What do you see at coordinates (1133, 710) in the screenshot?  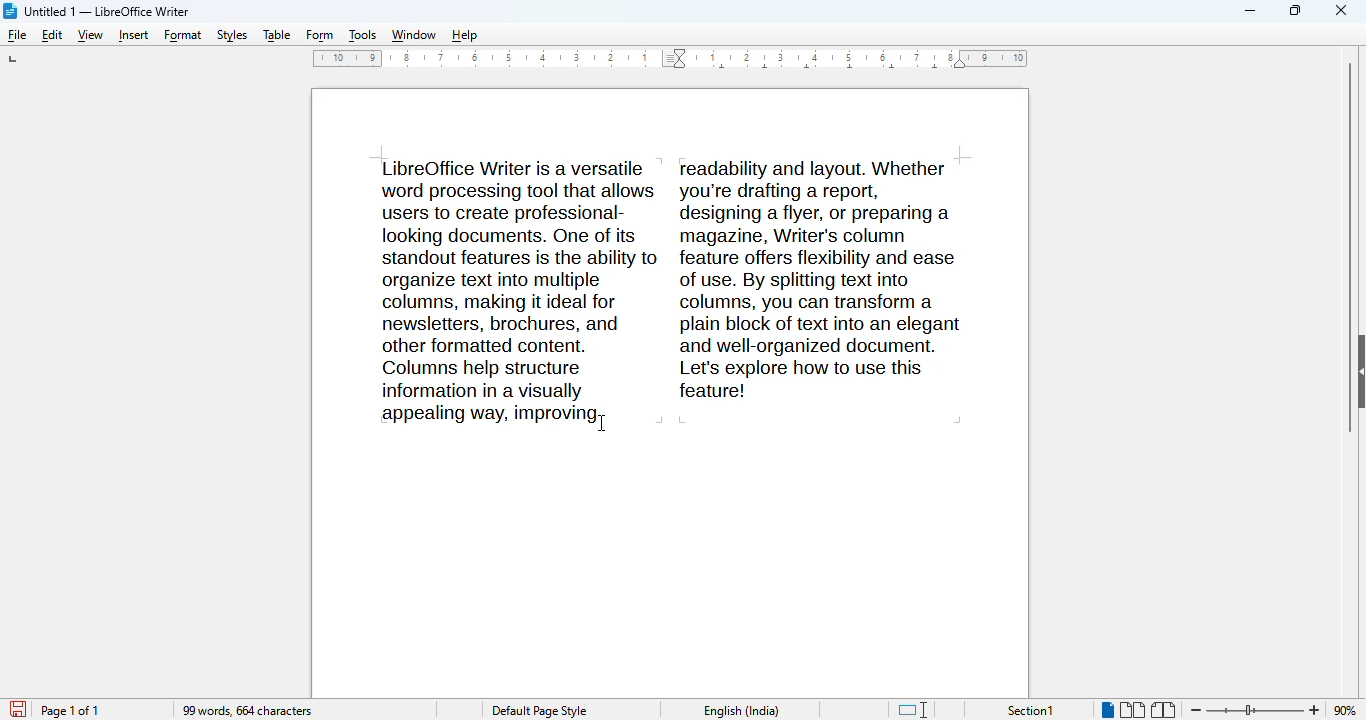 I see `multi-page view` at bounding box center [1133, 710].